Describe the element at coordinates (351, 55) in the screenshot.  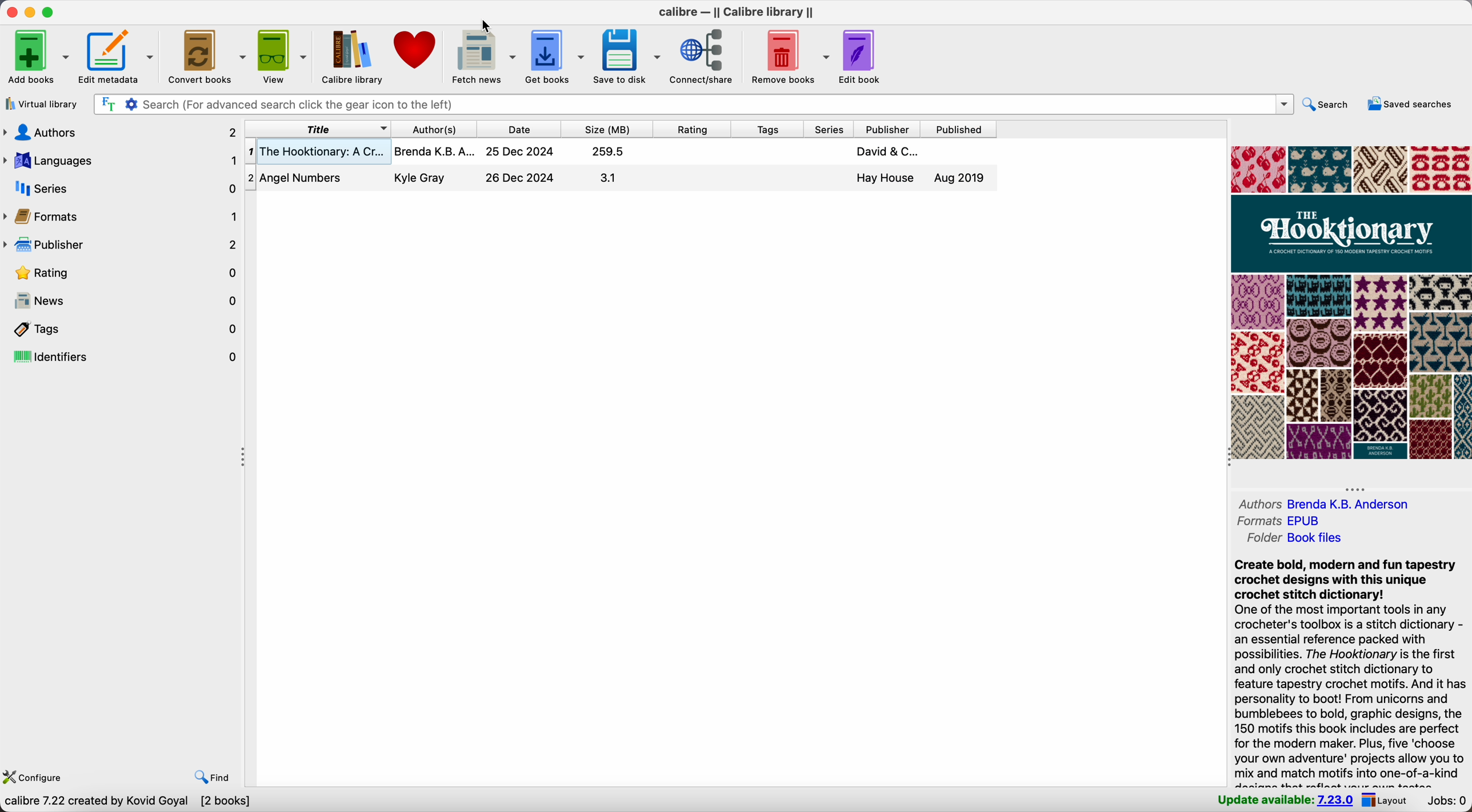
I see `Calibre library` at that location.